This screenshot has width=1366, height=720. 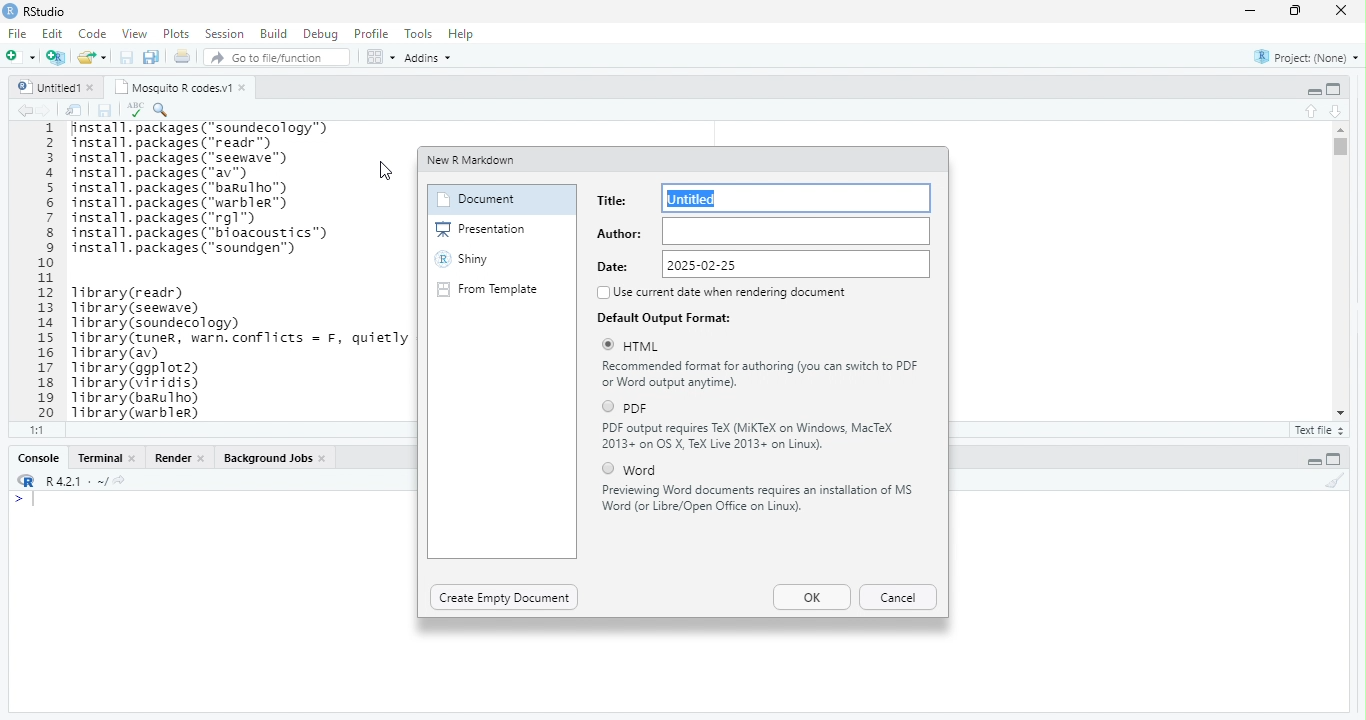 I want to click on cursor, so click(x=387, y=171).